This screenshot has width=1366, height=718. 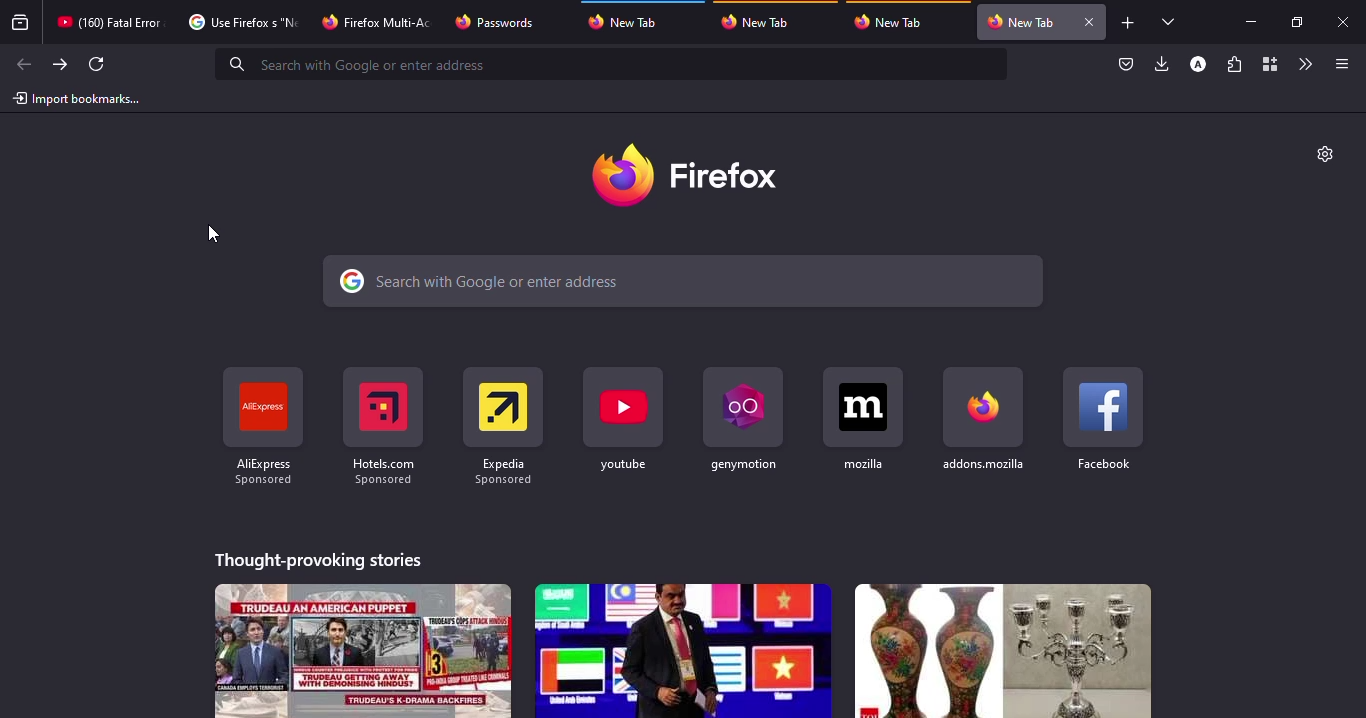 I want to click on tab, so click(x=893, y=22).